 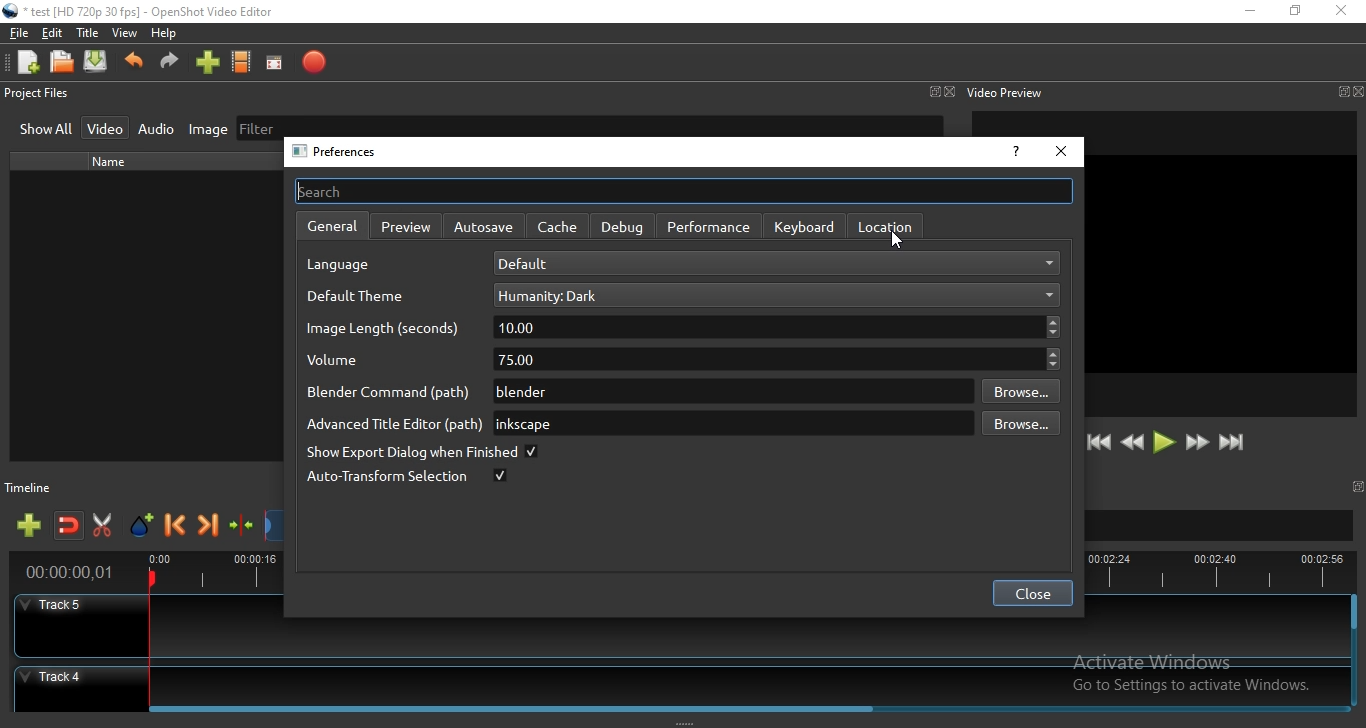 I want to click on Undo, so click(x=134, y=66).